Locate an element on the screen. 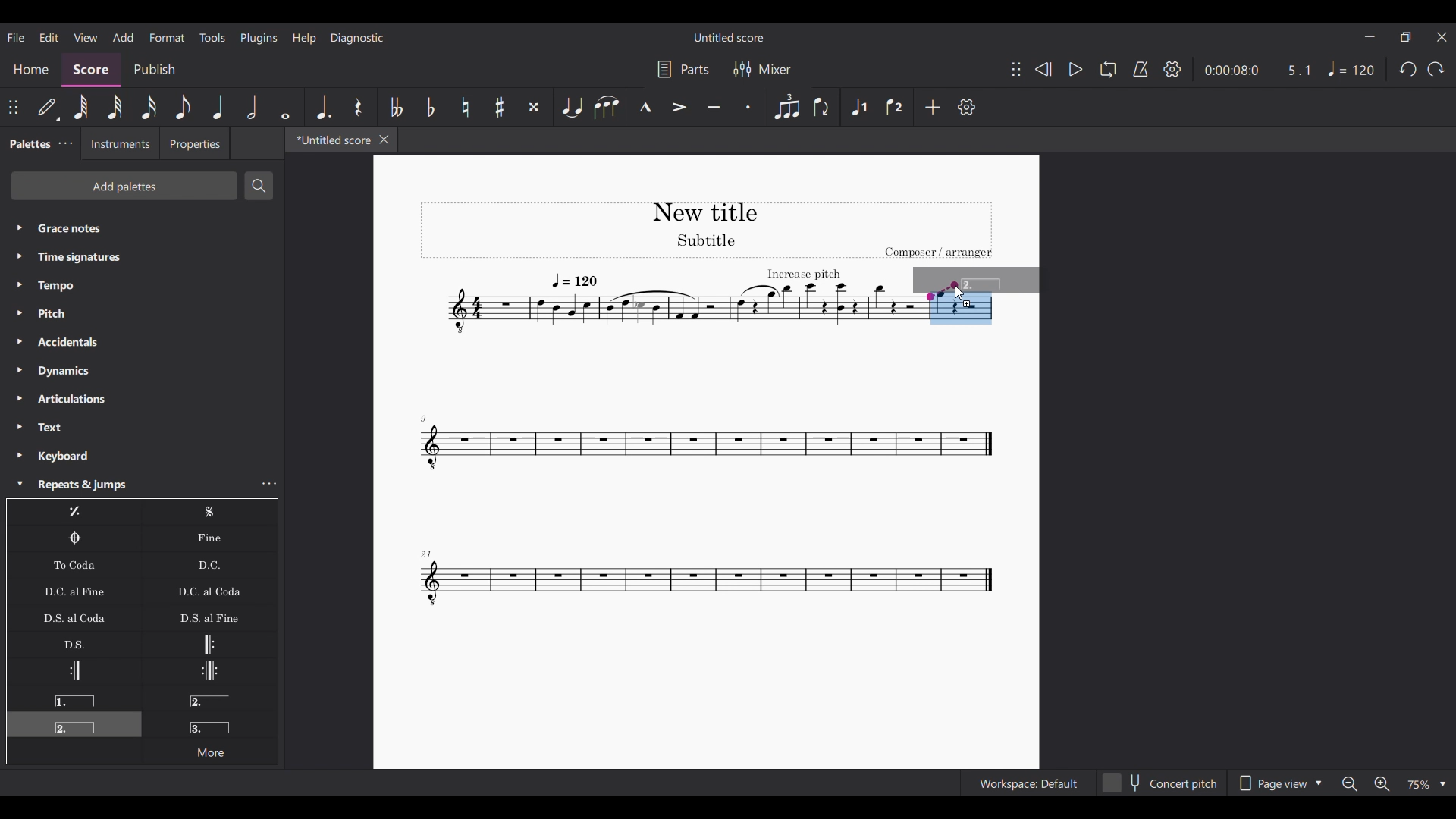  File menu is located at coordinates (16, 38).